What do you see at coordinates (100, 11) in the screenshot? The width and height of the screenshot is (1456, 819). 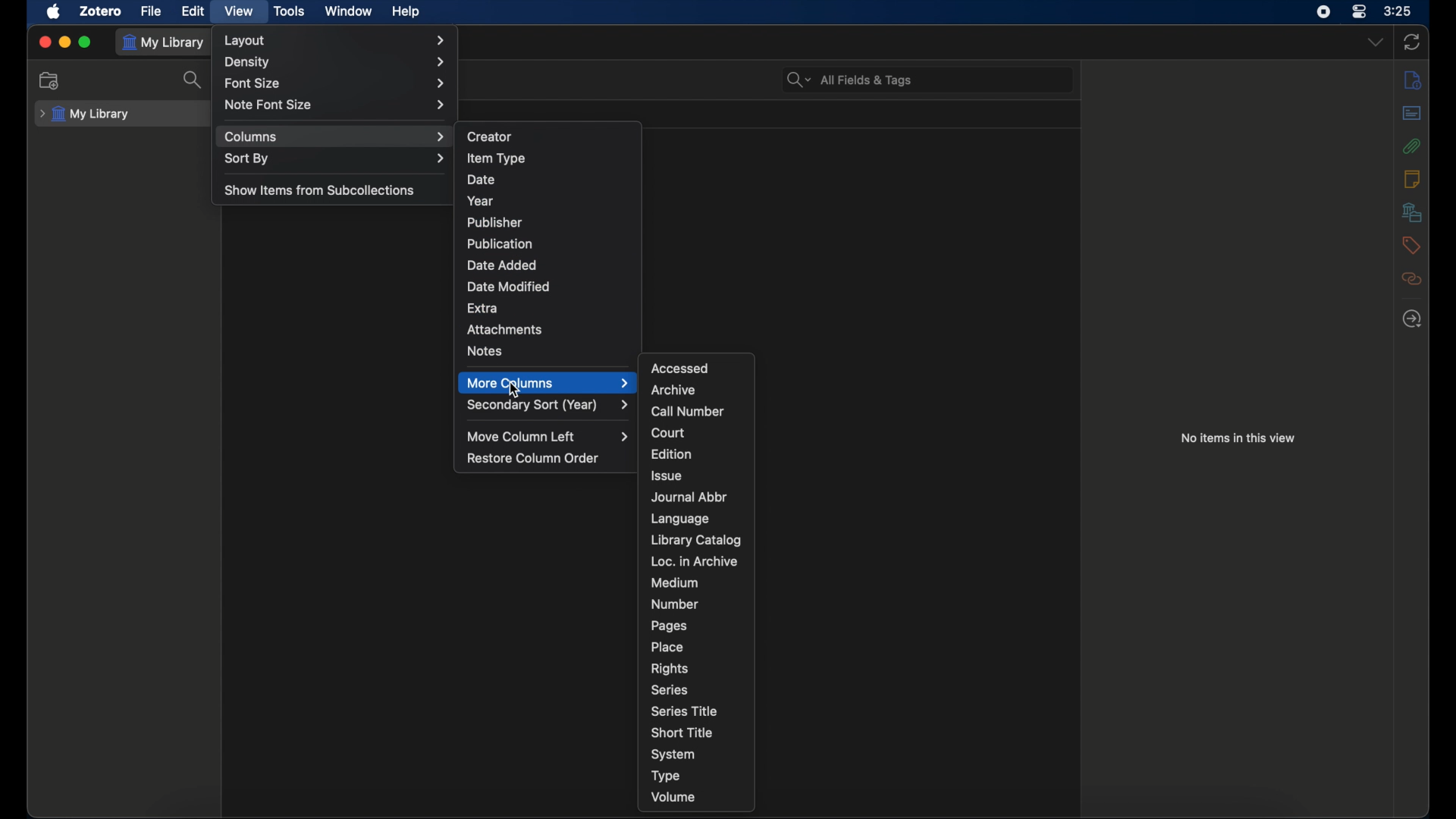 I see `zotero` at bounding box center [100, 11].